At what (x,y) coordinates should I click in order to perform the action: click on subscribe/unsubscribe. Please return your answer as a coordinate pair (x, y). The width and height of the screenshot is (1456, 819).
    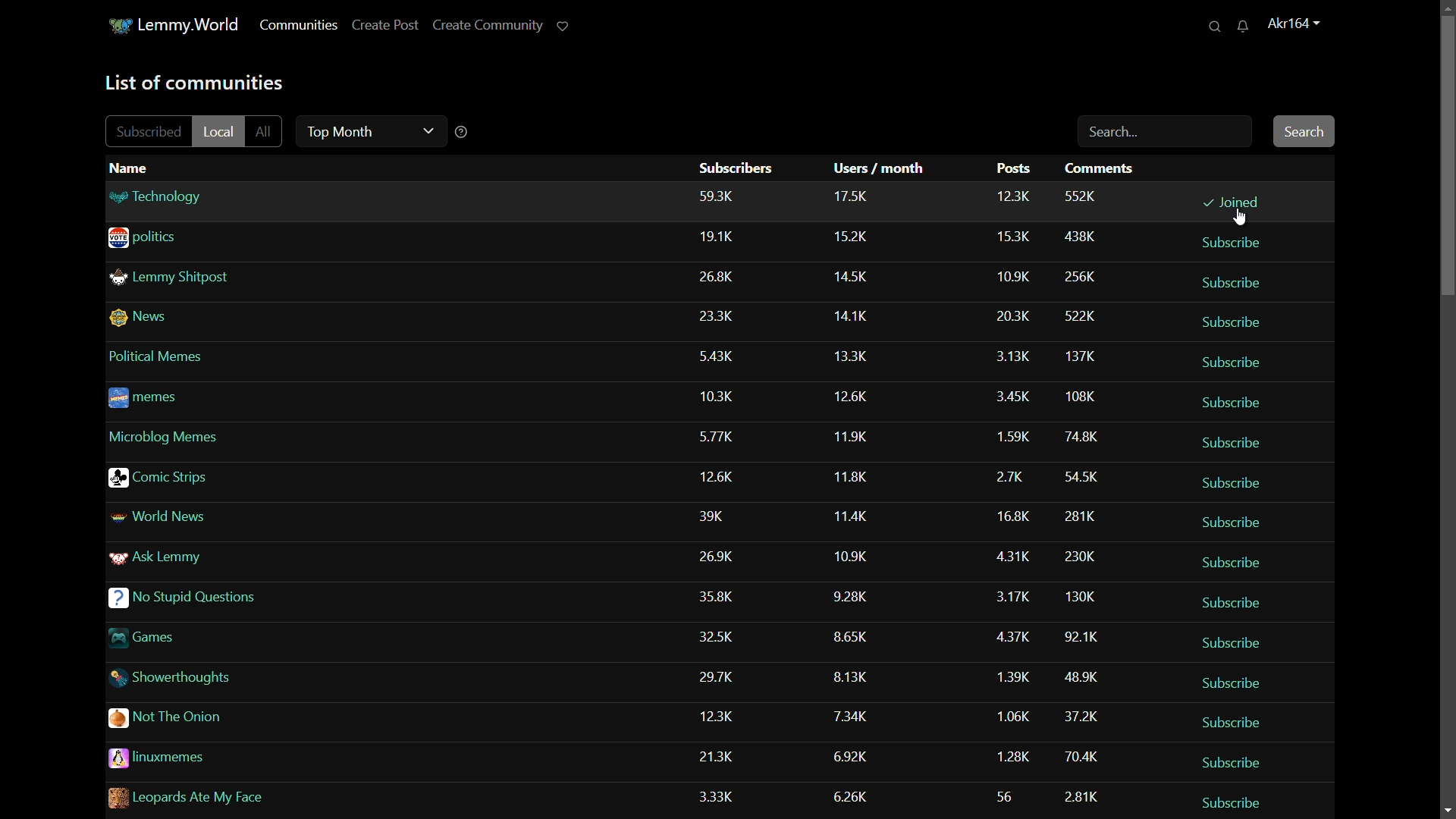
    Looking at the image, I should click on (1241, 563).